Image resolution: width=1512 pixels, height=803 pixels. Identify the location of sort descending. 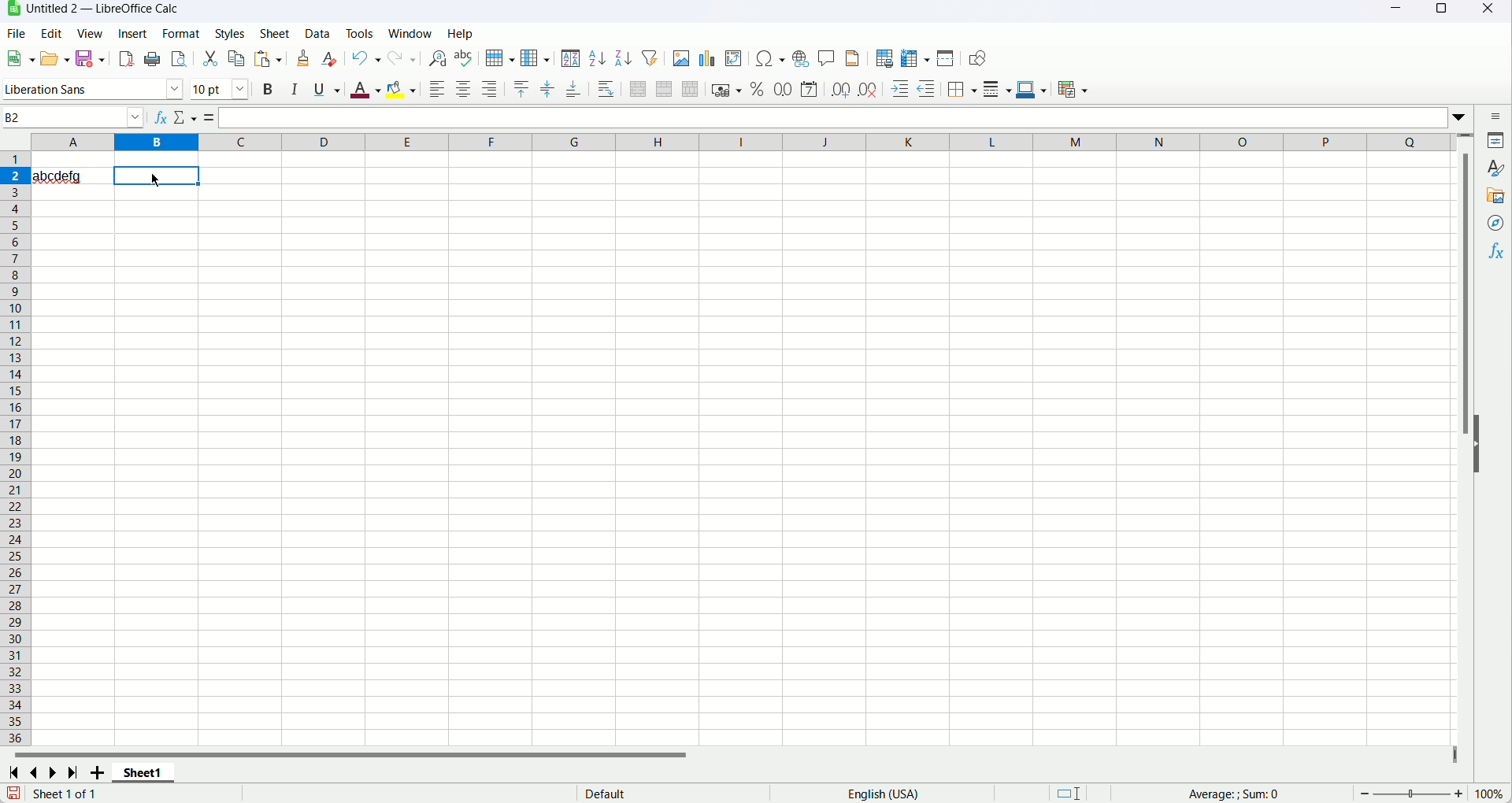
(624, 59).